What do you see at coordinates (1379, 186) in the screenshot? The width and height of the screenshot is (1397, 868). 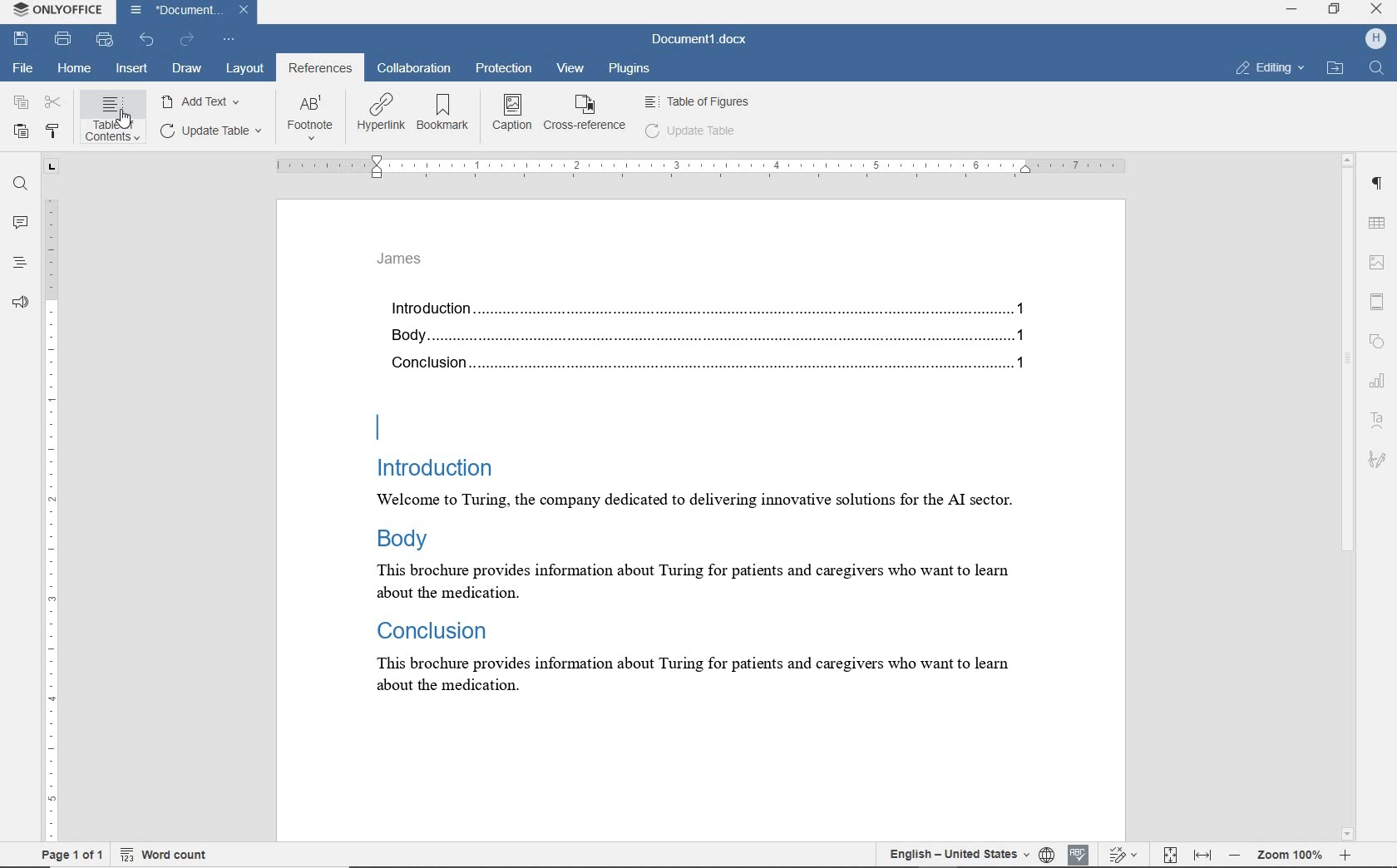 I see `paragraph settings` at bounding box center [1379, 186].